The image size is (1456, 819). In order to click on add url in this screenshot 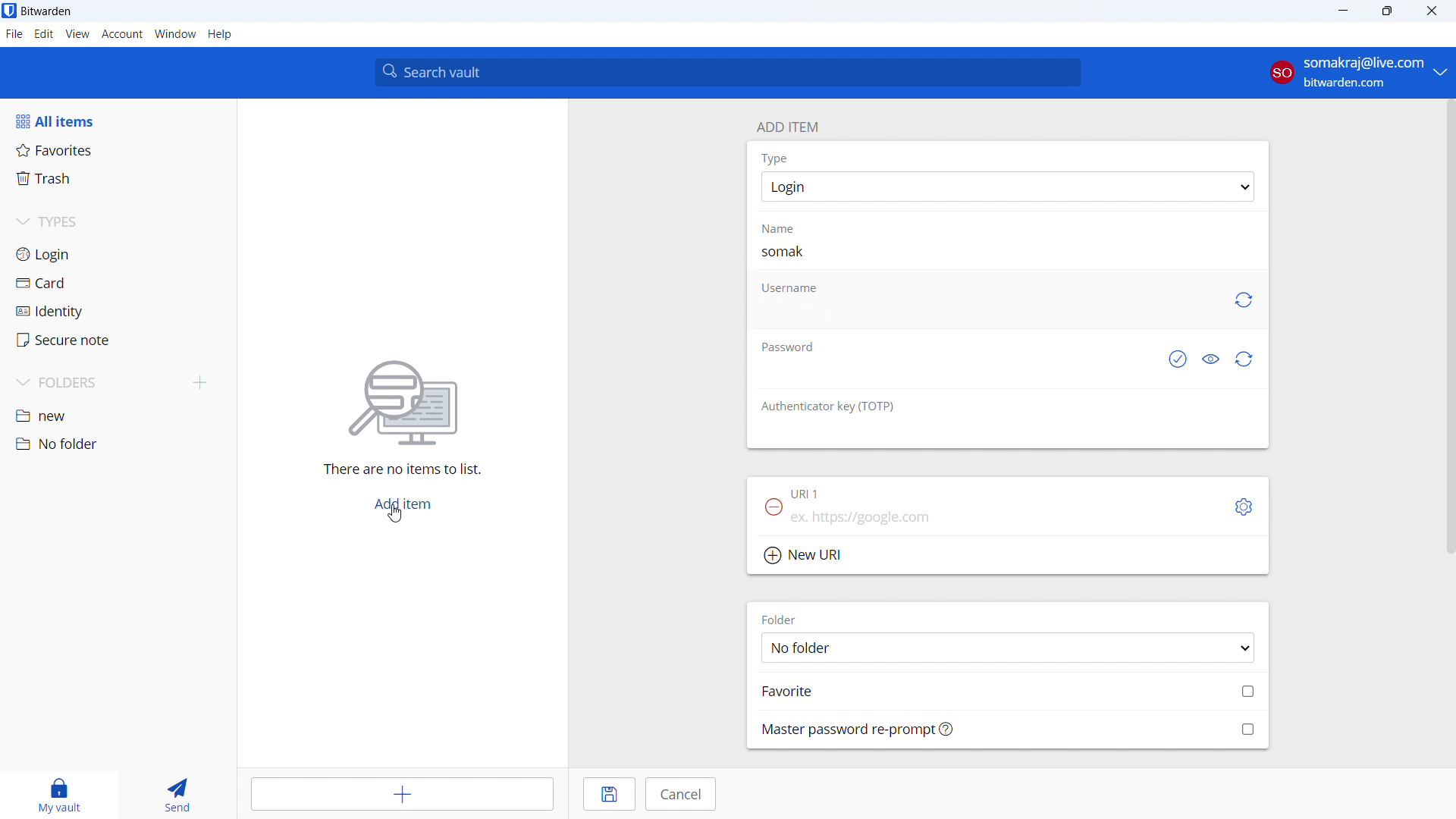, I will do `click(1007, 521)`.